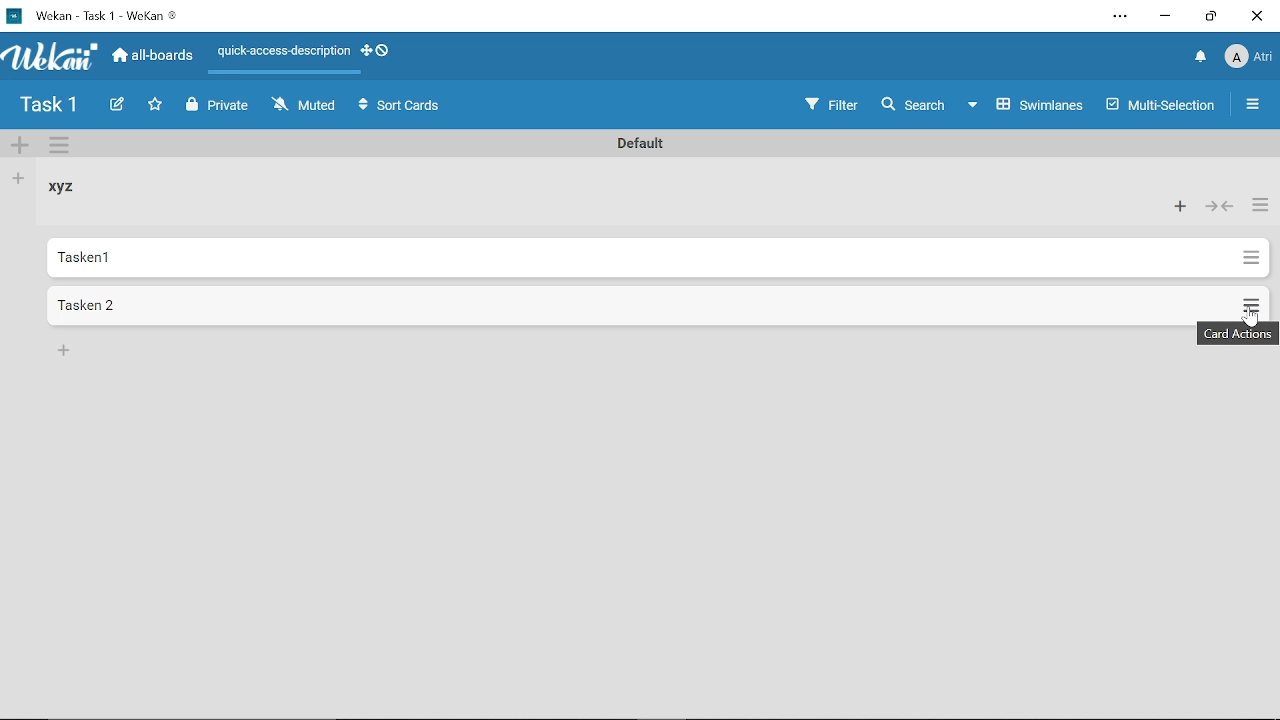 Image resolution: width=1280 pixels, height=720 pixels. What do you see at coordinates (68, 188) in the screenshot?
I see `List titled "xyz"` at bounding box center [68, 188].